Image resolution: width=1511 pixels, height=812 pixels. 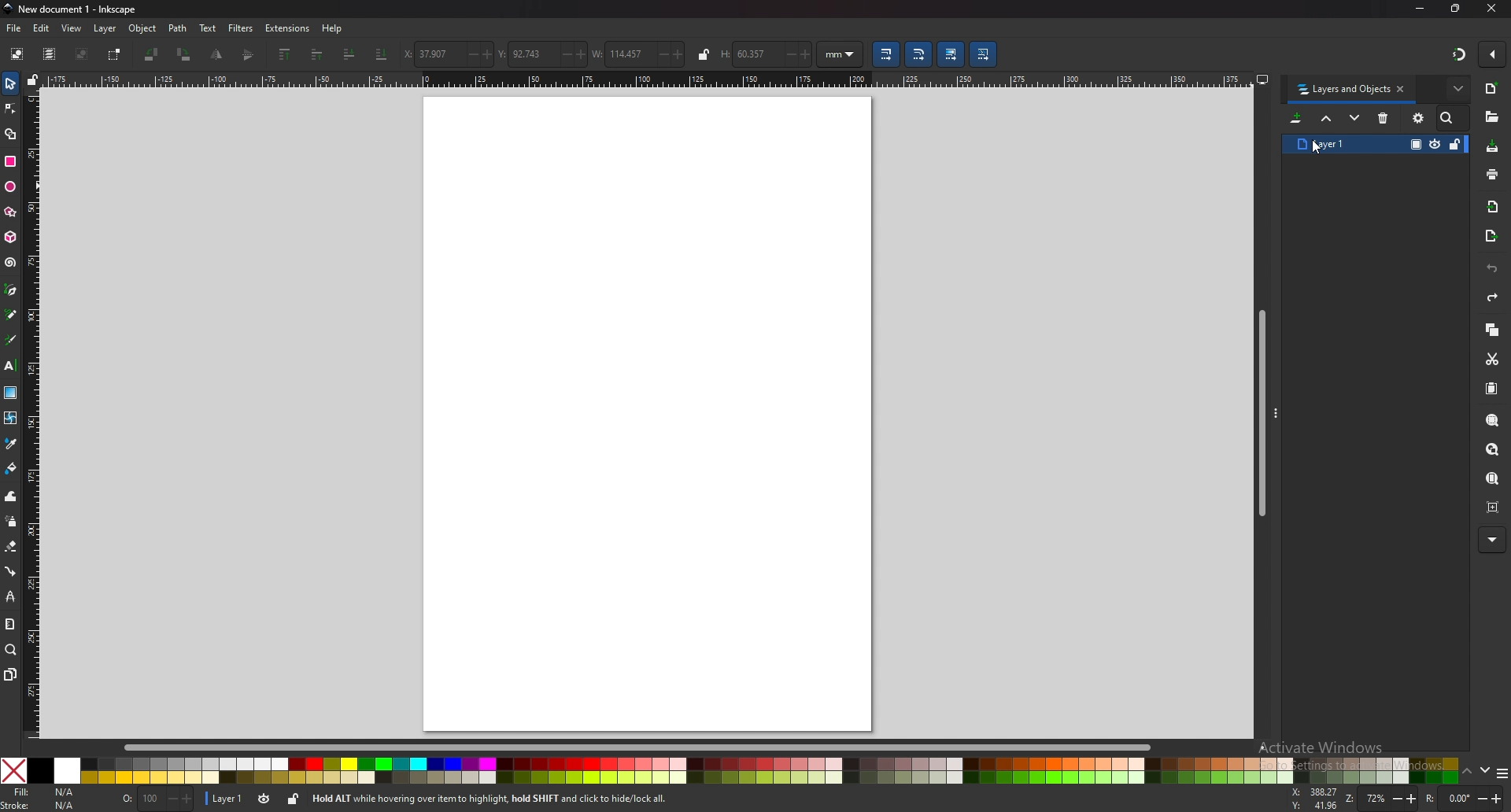 I want to click on zoom selection, so click(x=1494, y=419).